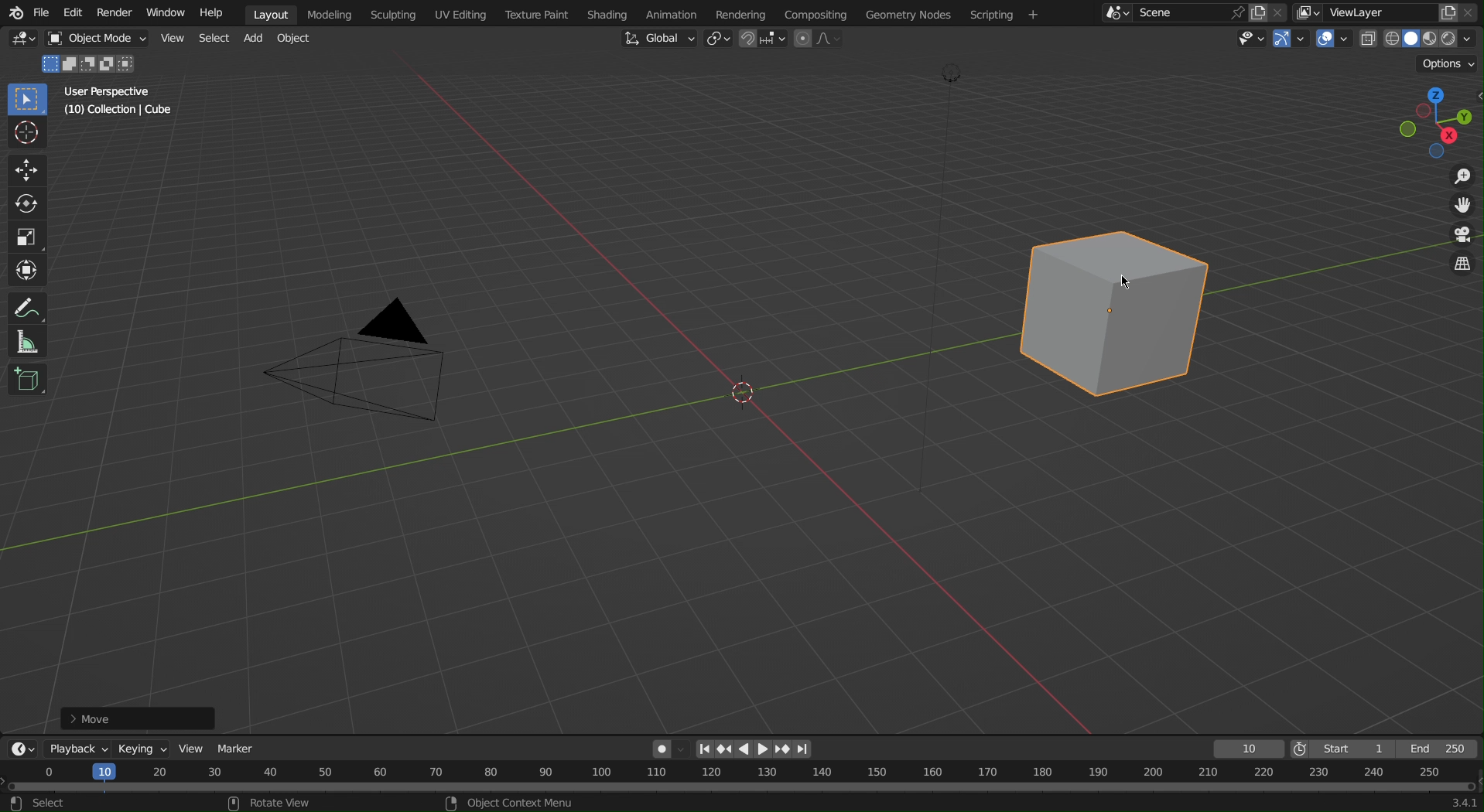 The width and height of the screenshot is (1484, 812). Describe the element at coordinates (26, 309) in the screenshot. I see `Annotate` at that location.